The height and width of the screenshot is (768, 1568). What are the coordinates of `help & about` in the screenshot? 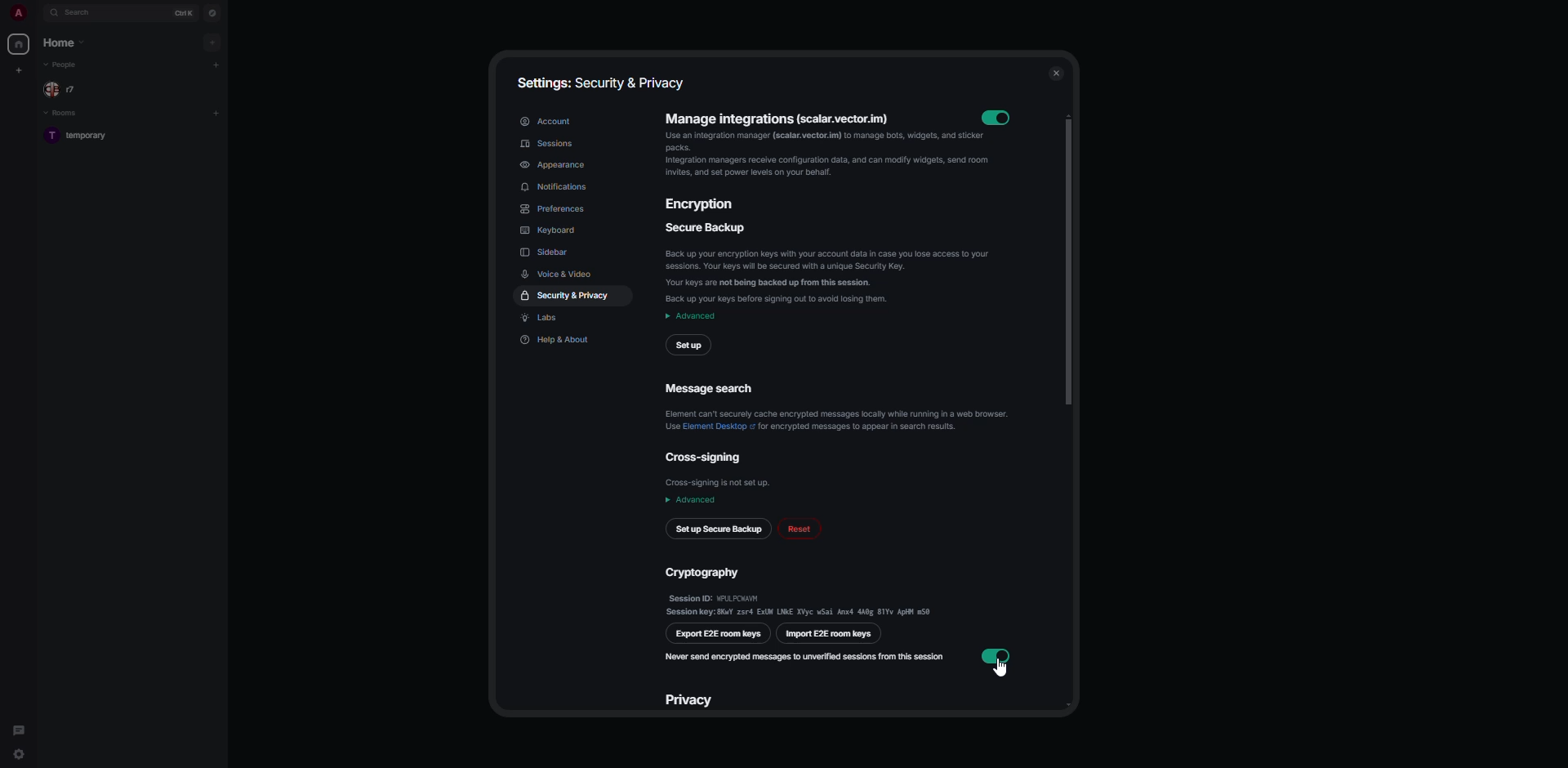 It's located at (556, 342).